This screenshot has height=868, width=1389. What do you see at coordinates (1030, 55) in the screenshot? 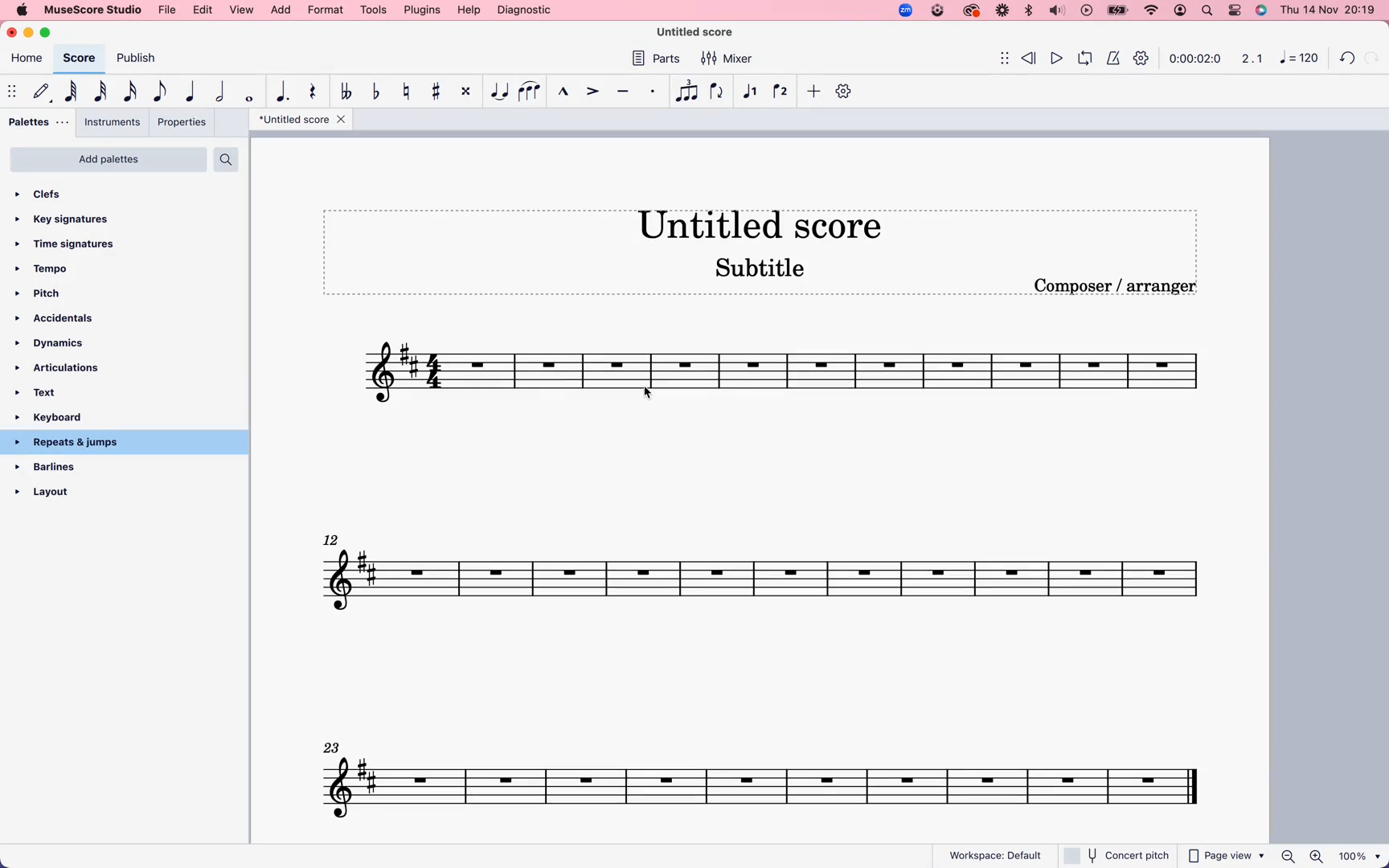
I see `rewind` at bounding box center [1030, 55].